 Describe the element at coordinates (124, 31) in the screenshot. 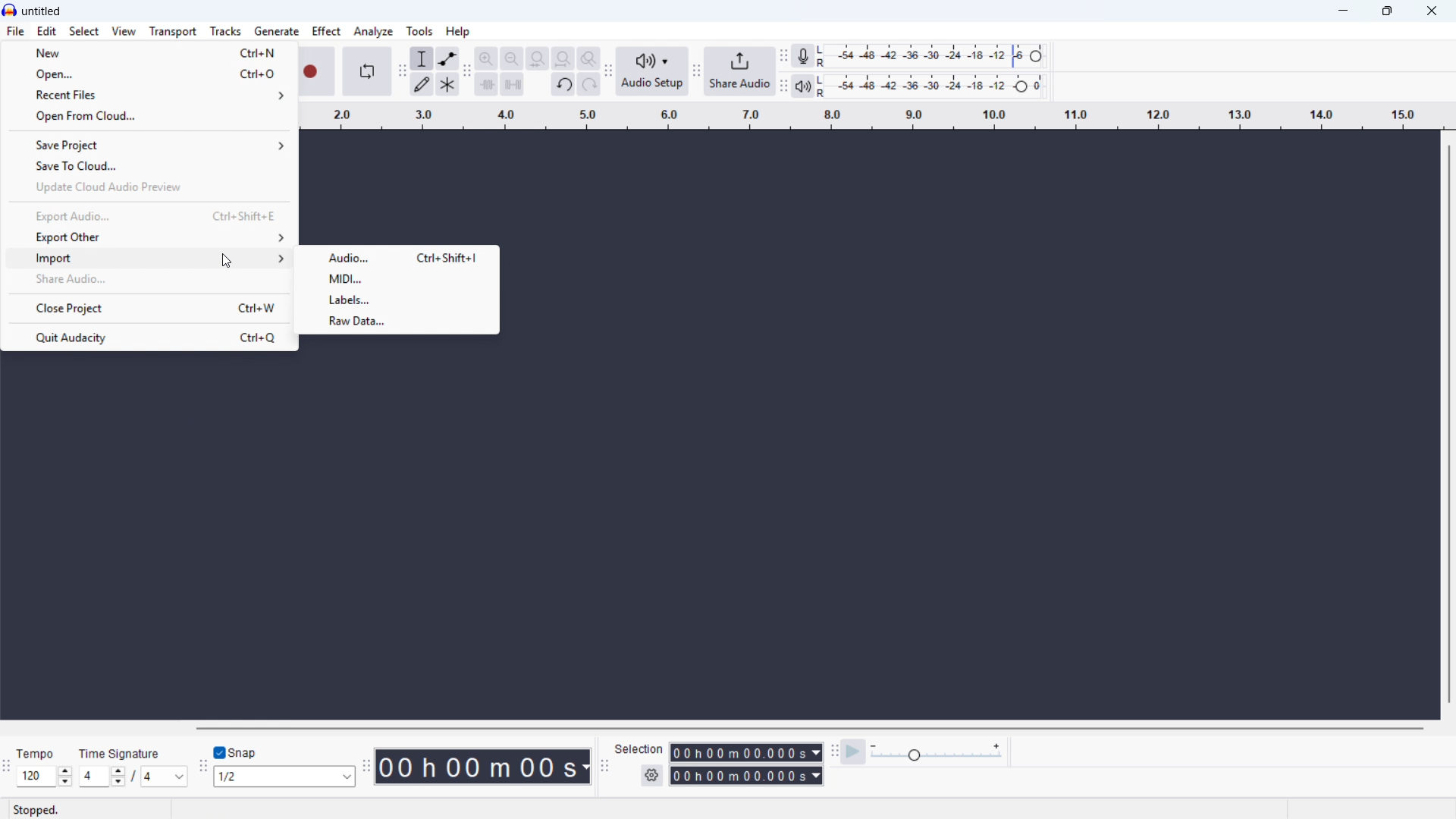

I see `view ` at that location.